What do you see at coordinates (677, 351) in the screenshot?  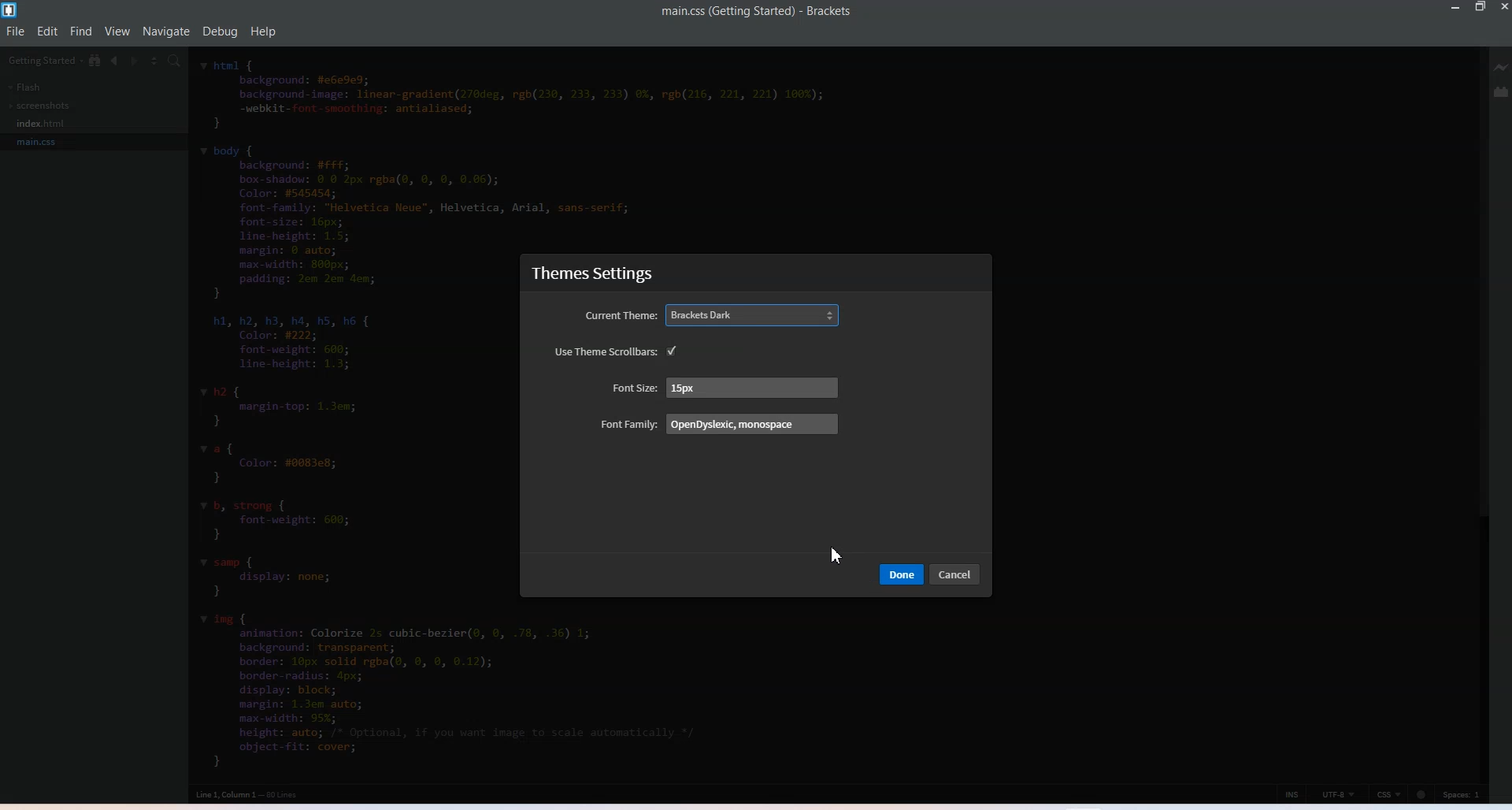 I see `Bracket light default` at bounding box center [677, 351].